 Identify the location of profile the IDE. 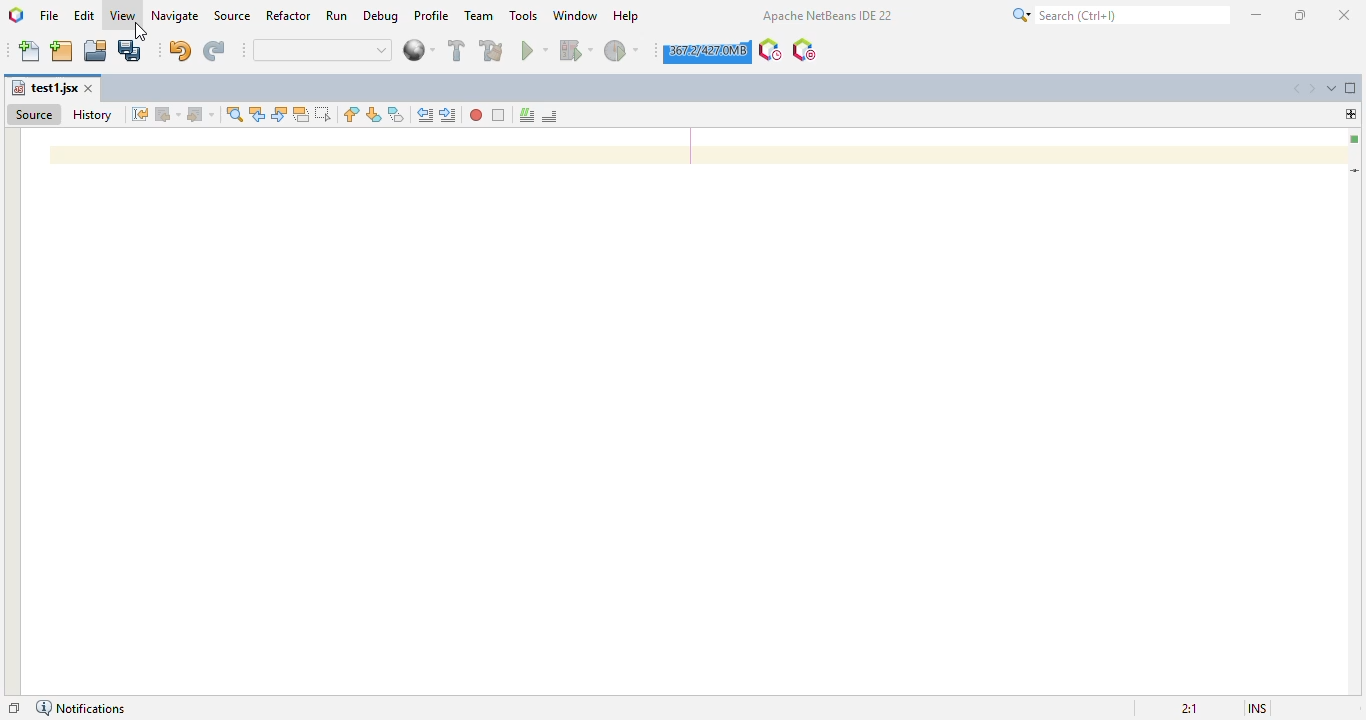
(771, 50).